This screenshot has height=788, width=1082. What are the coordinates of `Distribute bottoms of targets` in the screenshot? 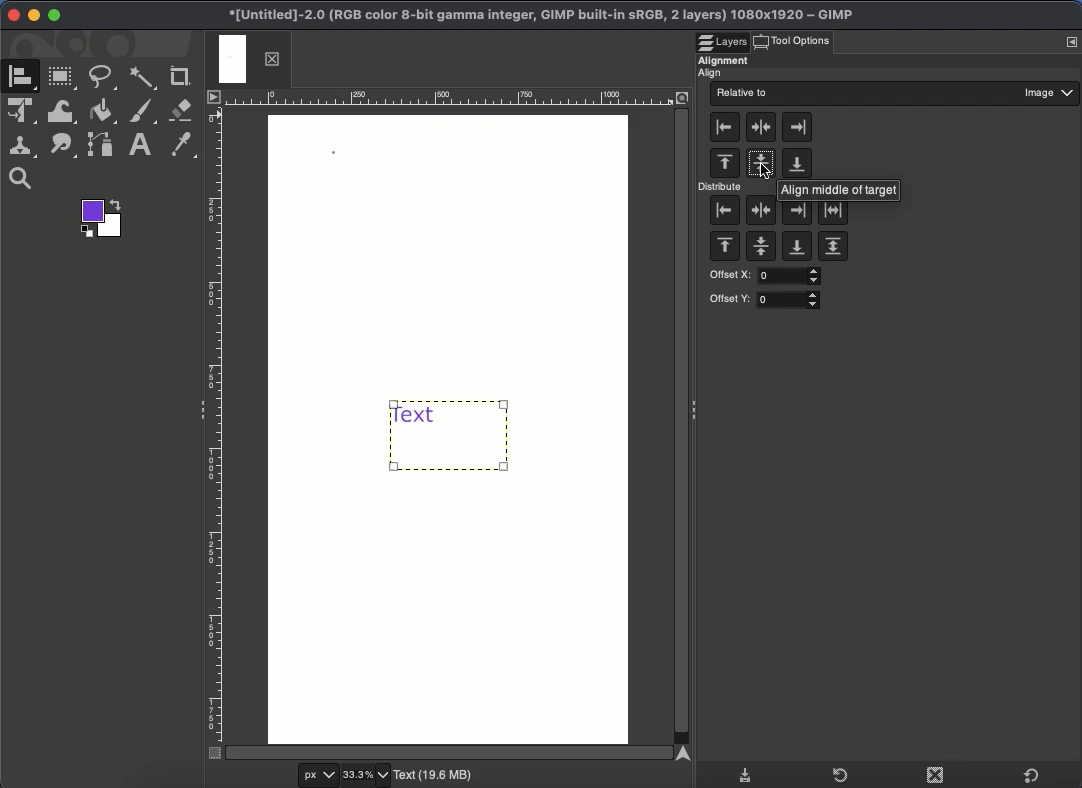 It's located at (795, 248).